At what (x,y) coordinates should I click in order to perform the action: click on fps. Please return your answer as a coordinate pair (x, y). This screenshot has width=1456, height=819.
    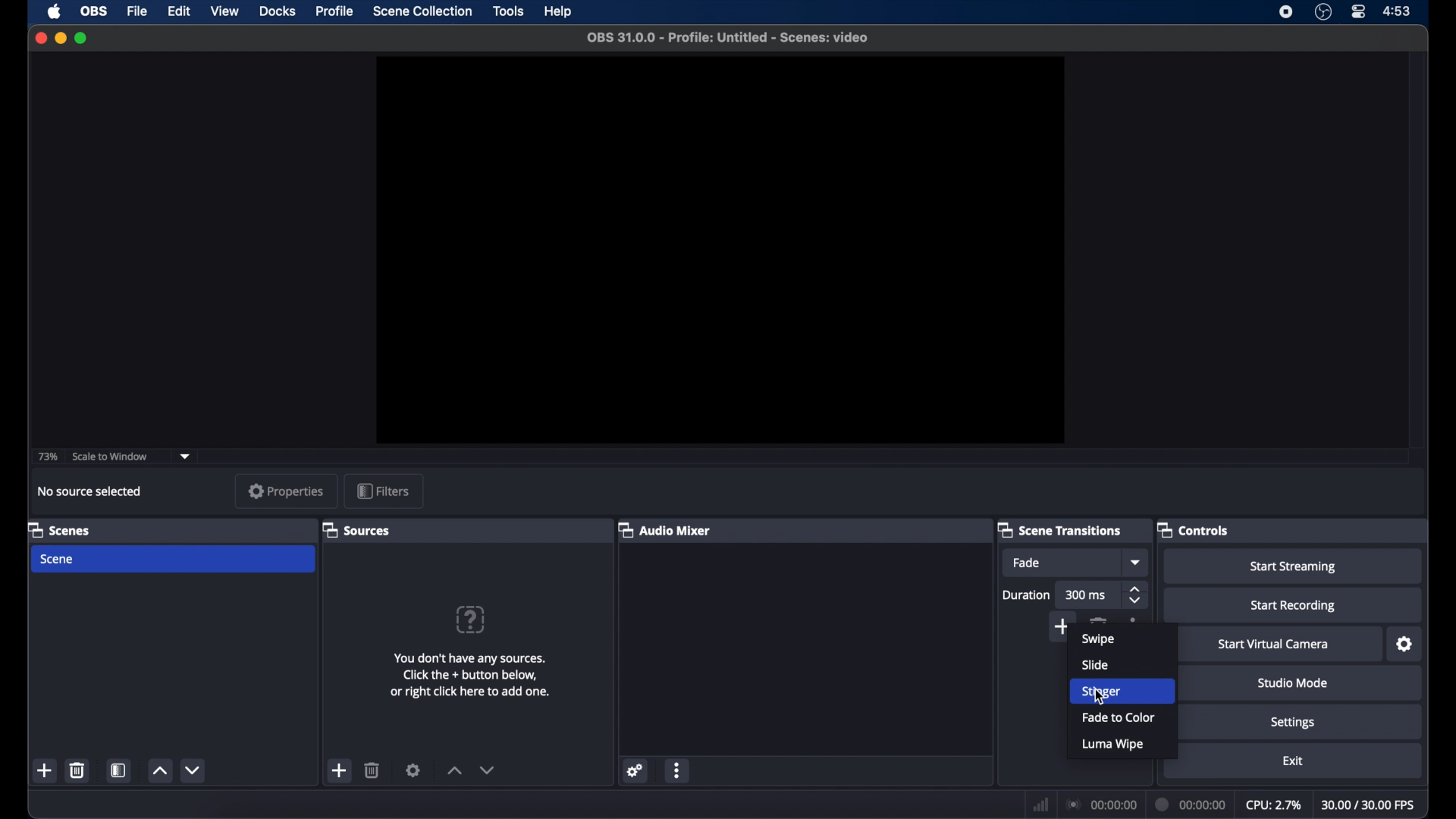
    Looking at the image, I should click on (1369, 805).